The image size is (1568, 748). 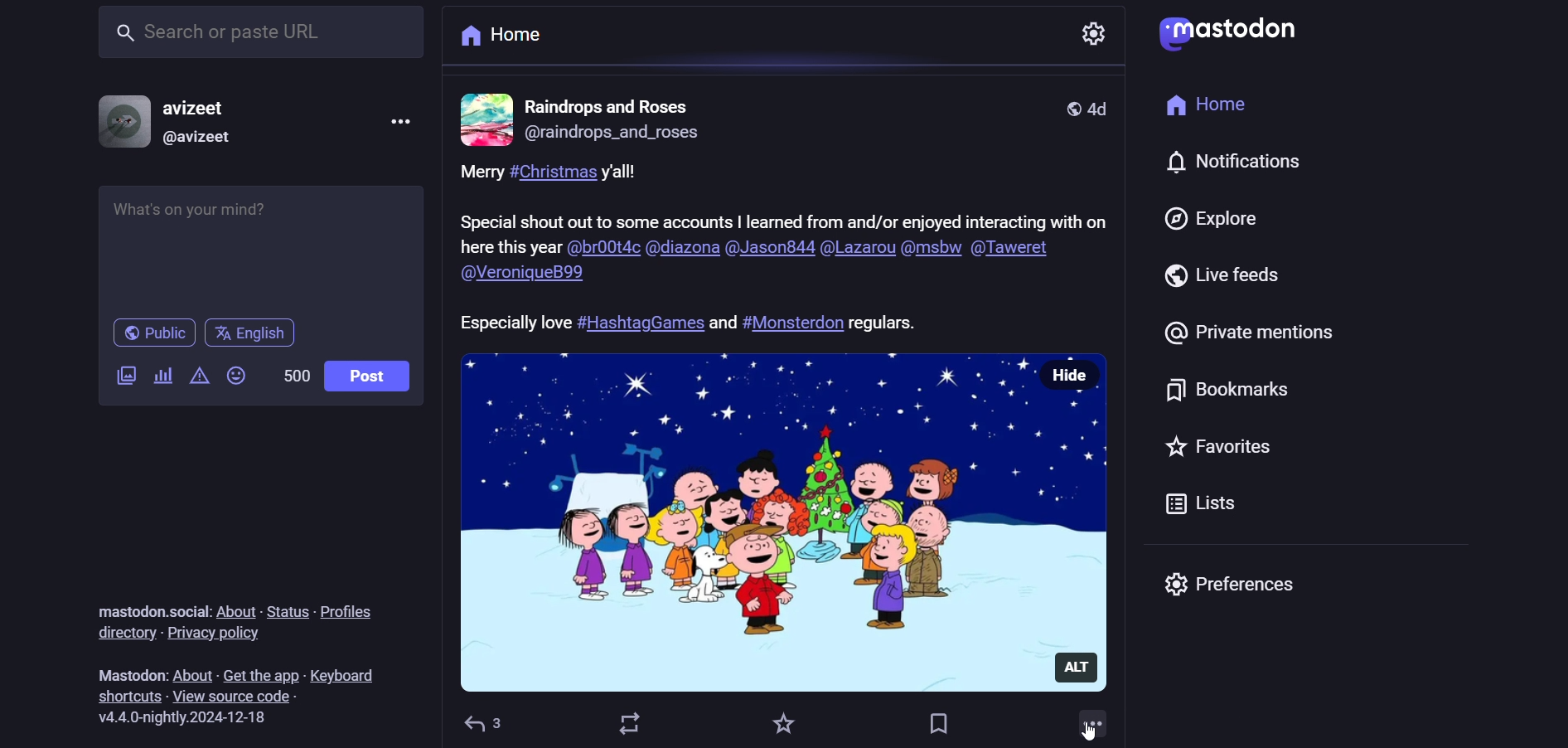 I want to click on @username, so click(x=195, y=138).